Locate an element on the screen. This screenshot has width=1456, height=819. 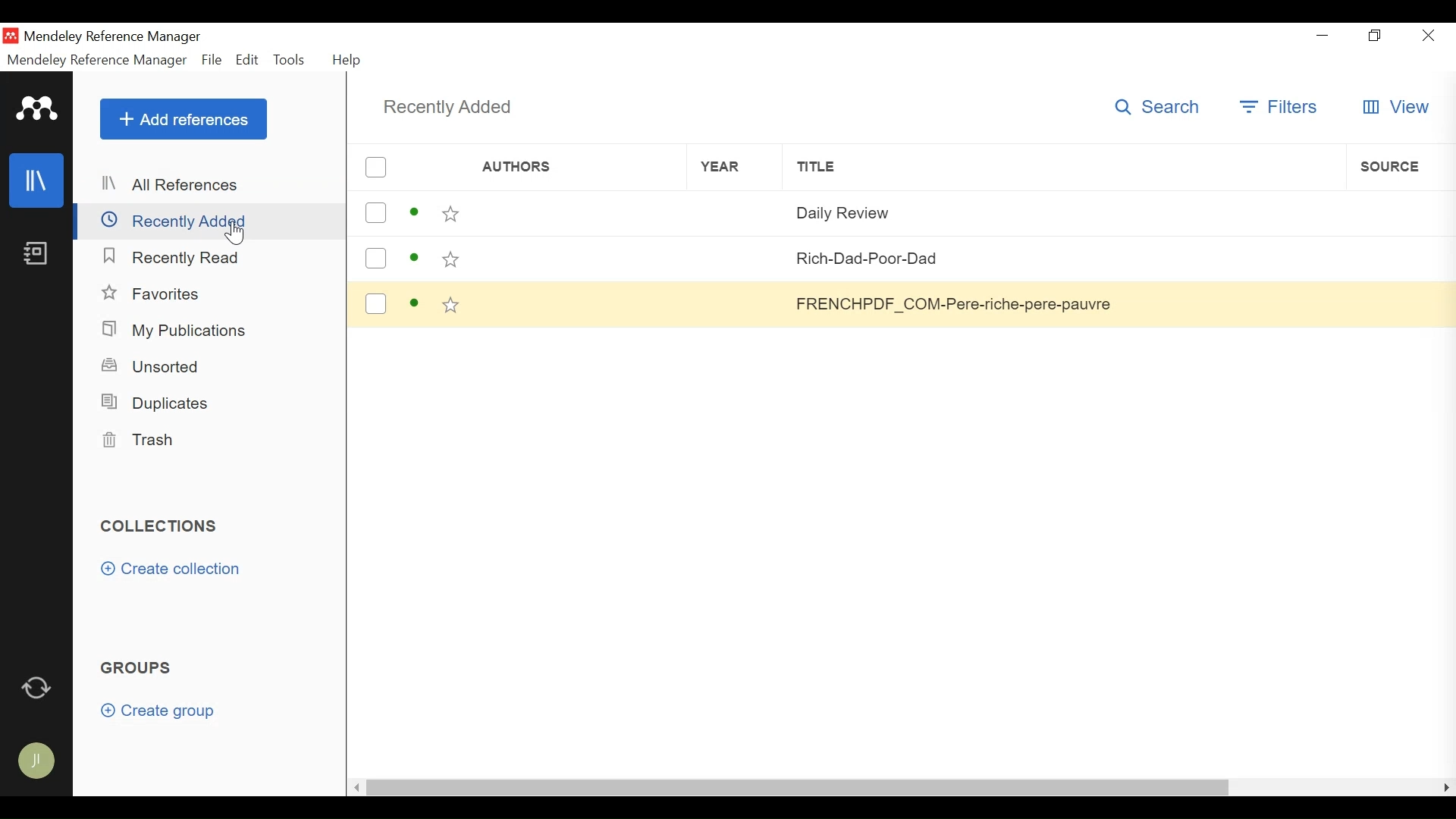
Mendeley Desktop Icon is located at coordinates (11, 36).